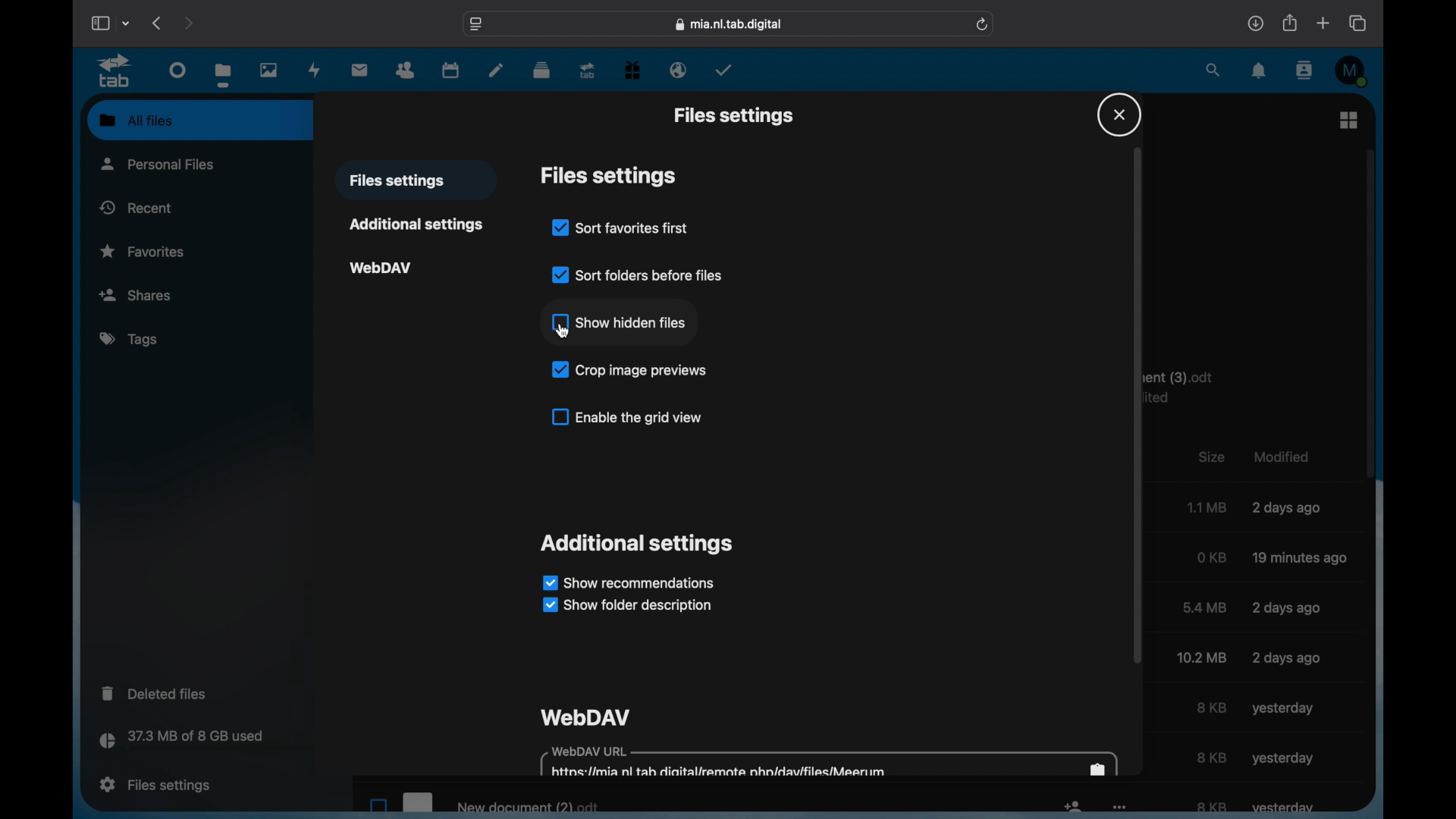  What do you see at coordinates (1212, 757) in the screenshot?
I see `size` at bounding box center [1212, 757].